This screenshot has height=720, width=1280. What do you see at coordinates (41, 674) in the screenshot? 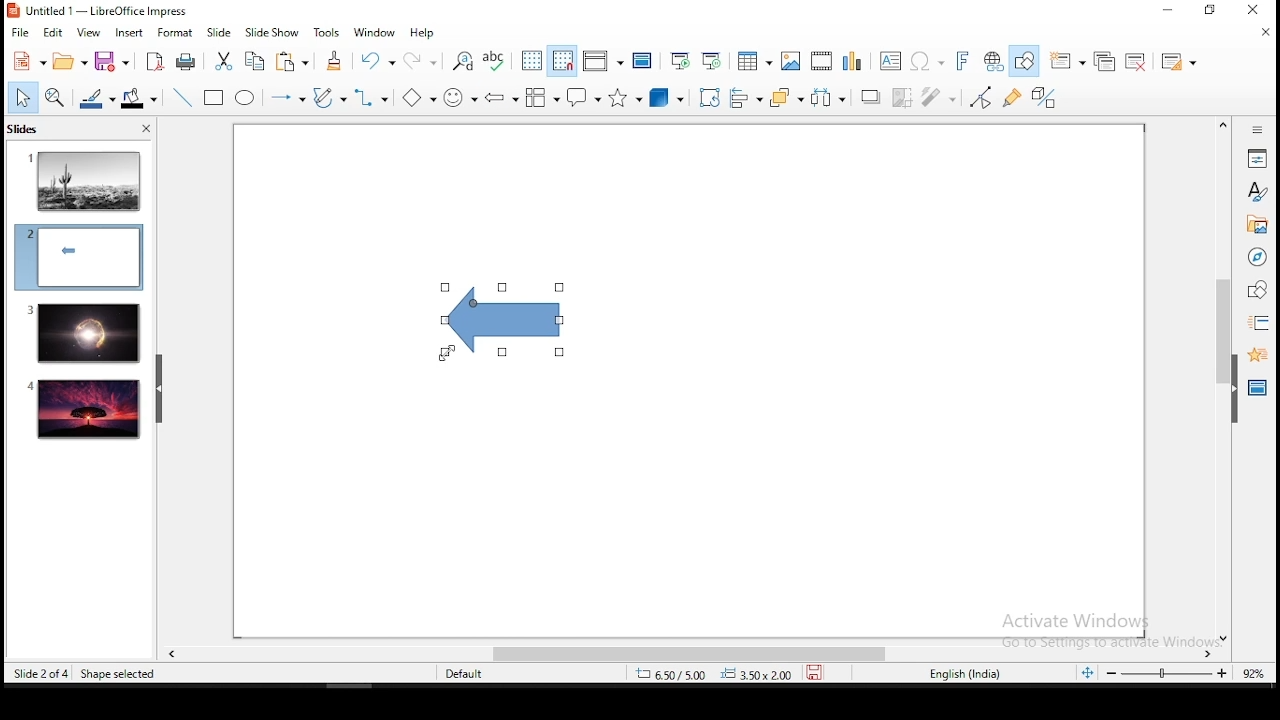
I see `slide 2 of 4` at bounding box center [41, 674].